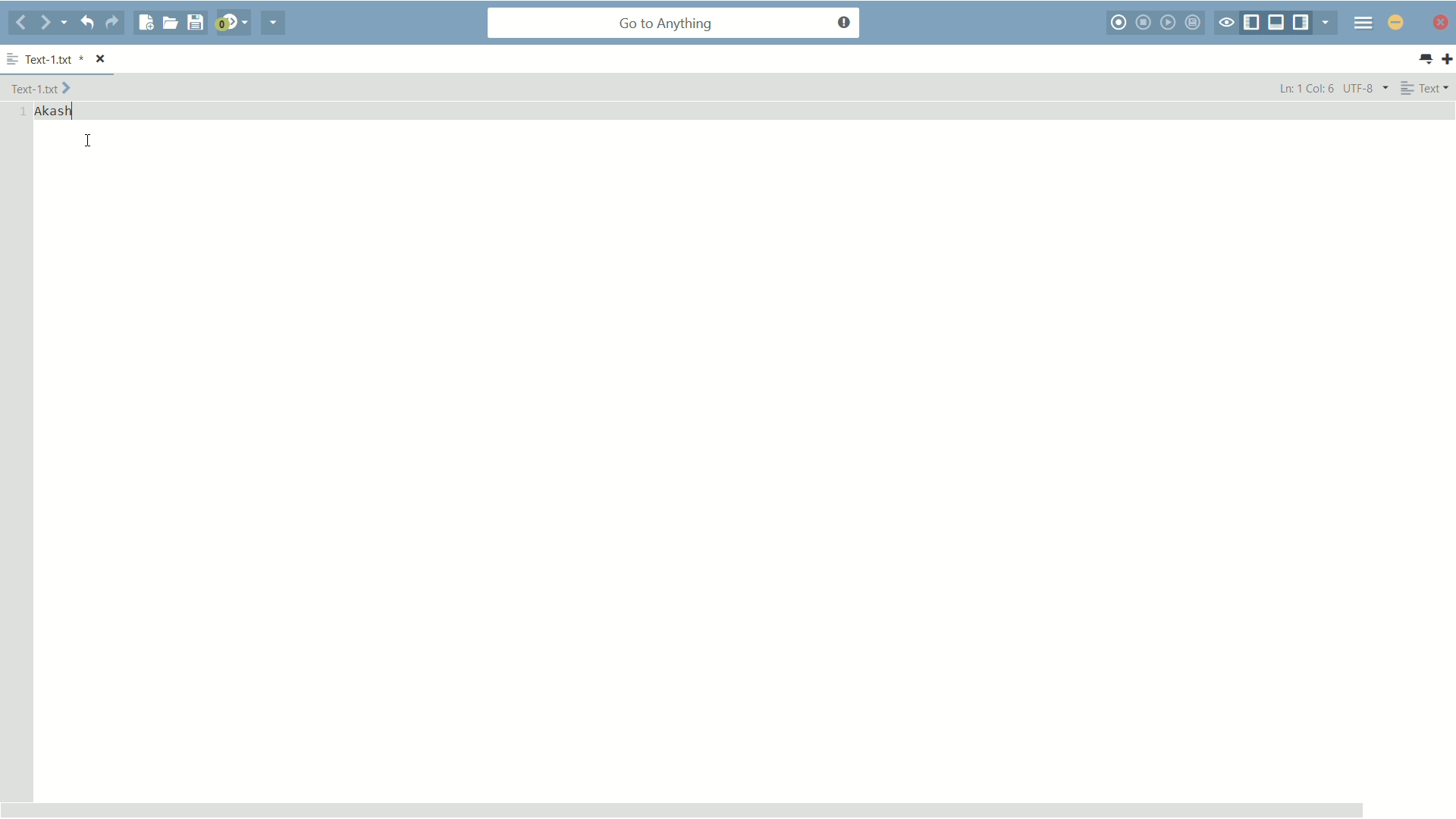 The image size is (1456, 819). I want to click on go to anything search bar, so click(674, 24).